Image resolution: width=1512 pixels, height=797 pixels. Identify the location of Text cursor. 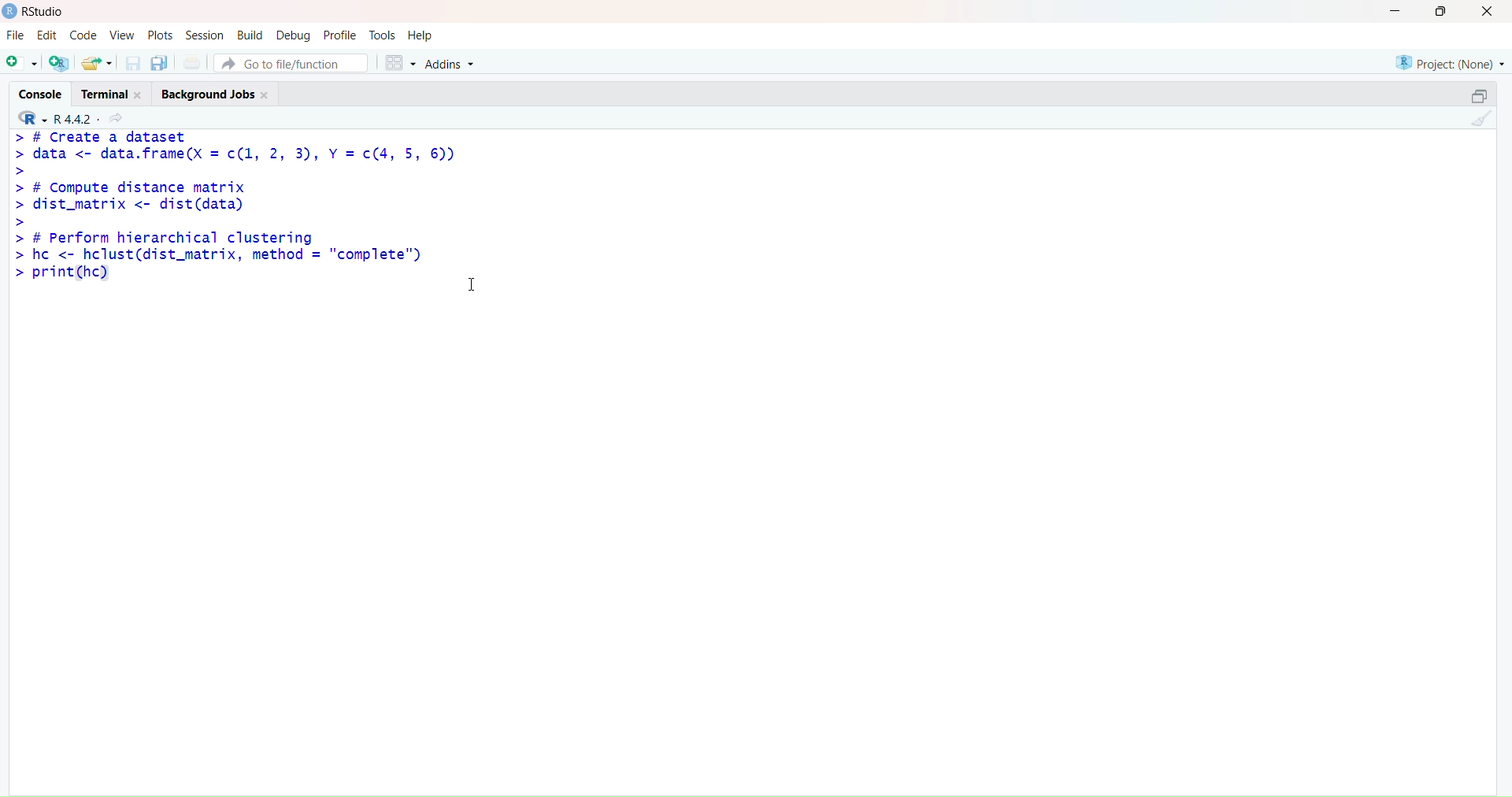
(470, 284).